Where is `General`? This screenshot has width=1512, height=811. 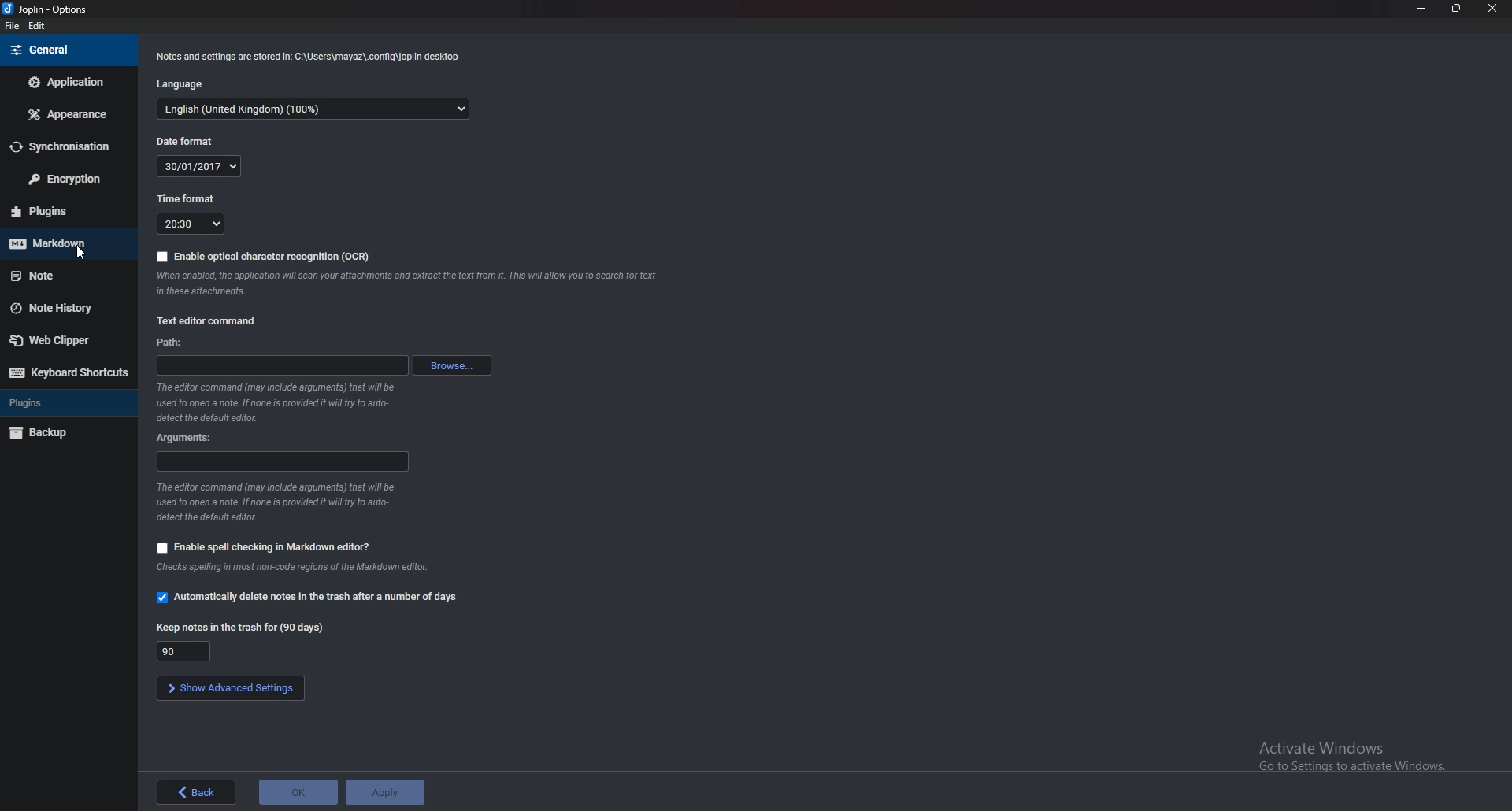 General is located at coordinates (59, 49).